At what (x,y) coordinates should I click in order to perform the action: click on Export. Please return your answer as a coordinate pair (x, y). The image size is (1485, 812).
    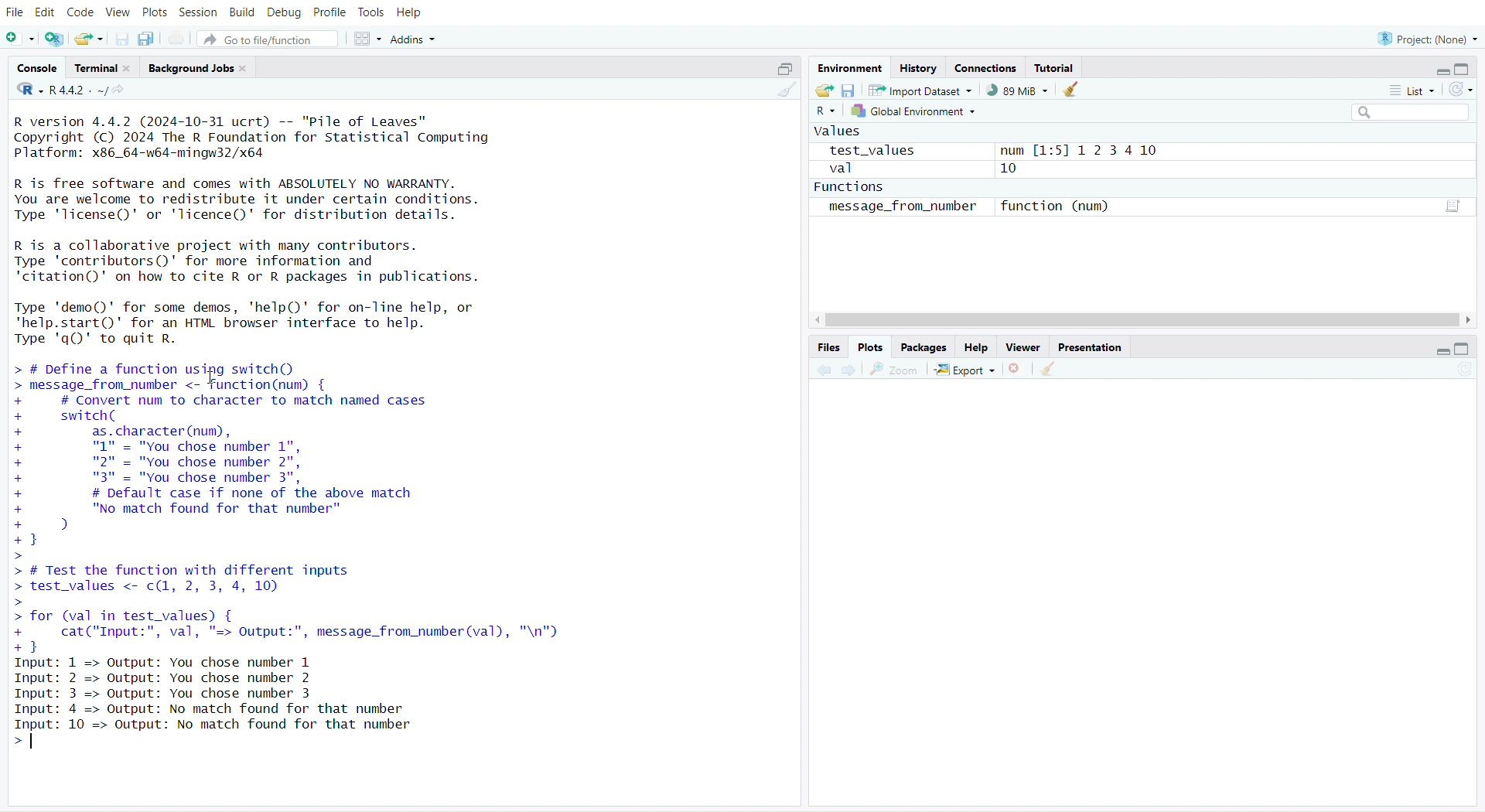
    Looking at the image, I should click on (965, 369).